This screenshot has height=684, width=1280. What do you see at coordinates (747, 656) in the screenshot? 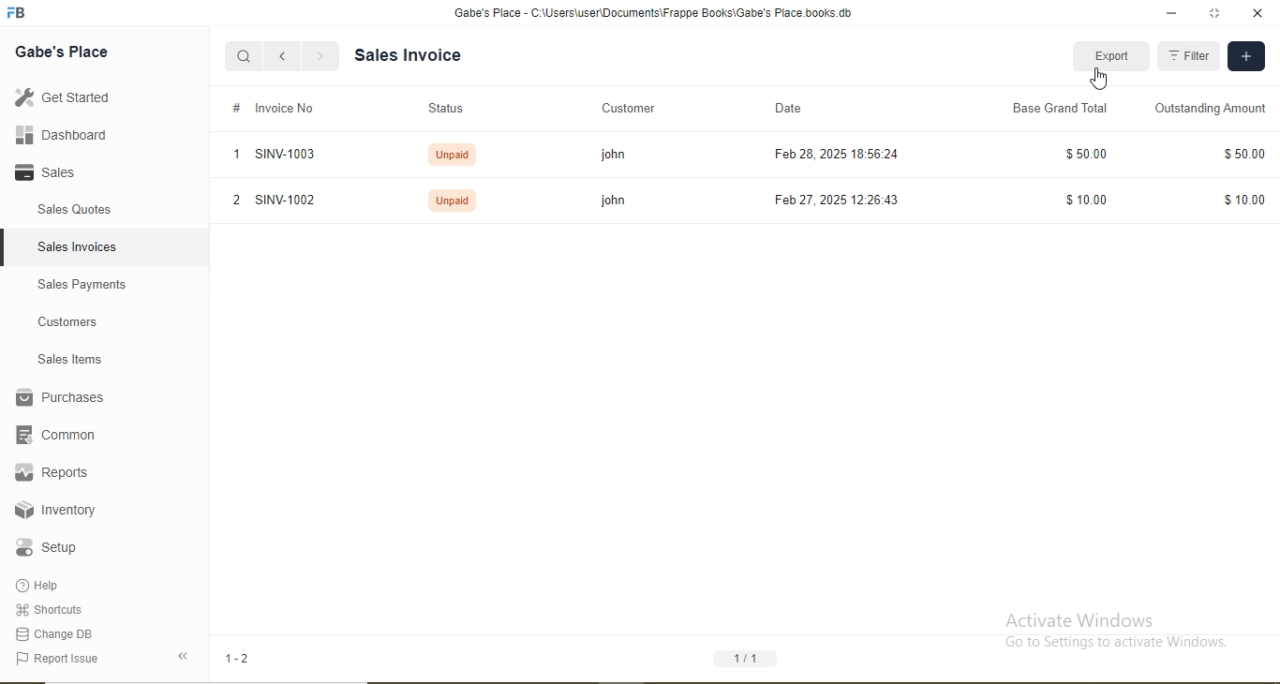
I see `11` at bounding box center [747, 656].